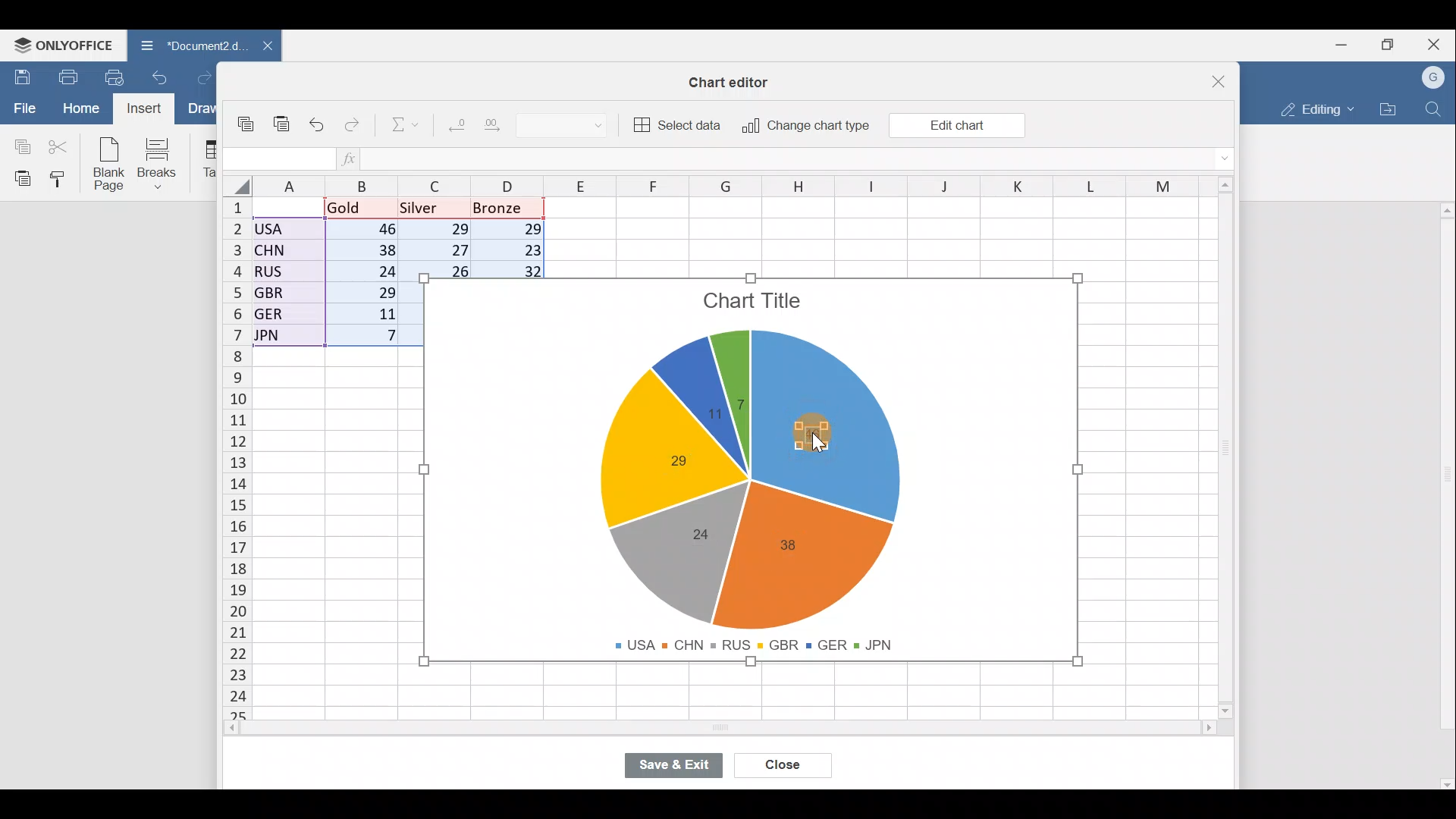 This screenshot has height=819, width=1456. I want to click on Minimize, so click(1347, 43).